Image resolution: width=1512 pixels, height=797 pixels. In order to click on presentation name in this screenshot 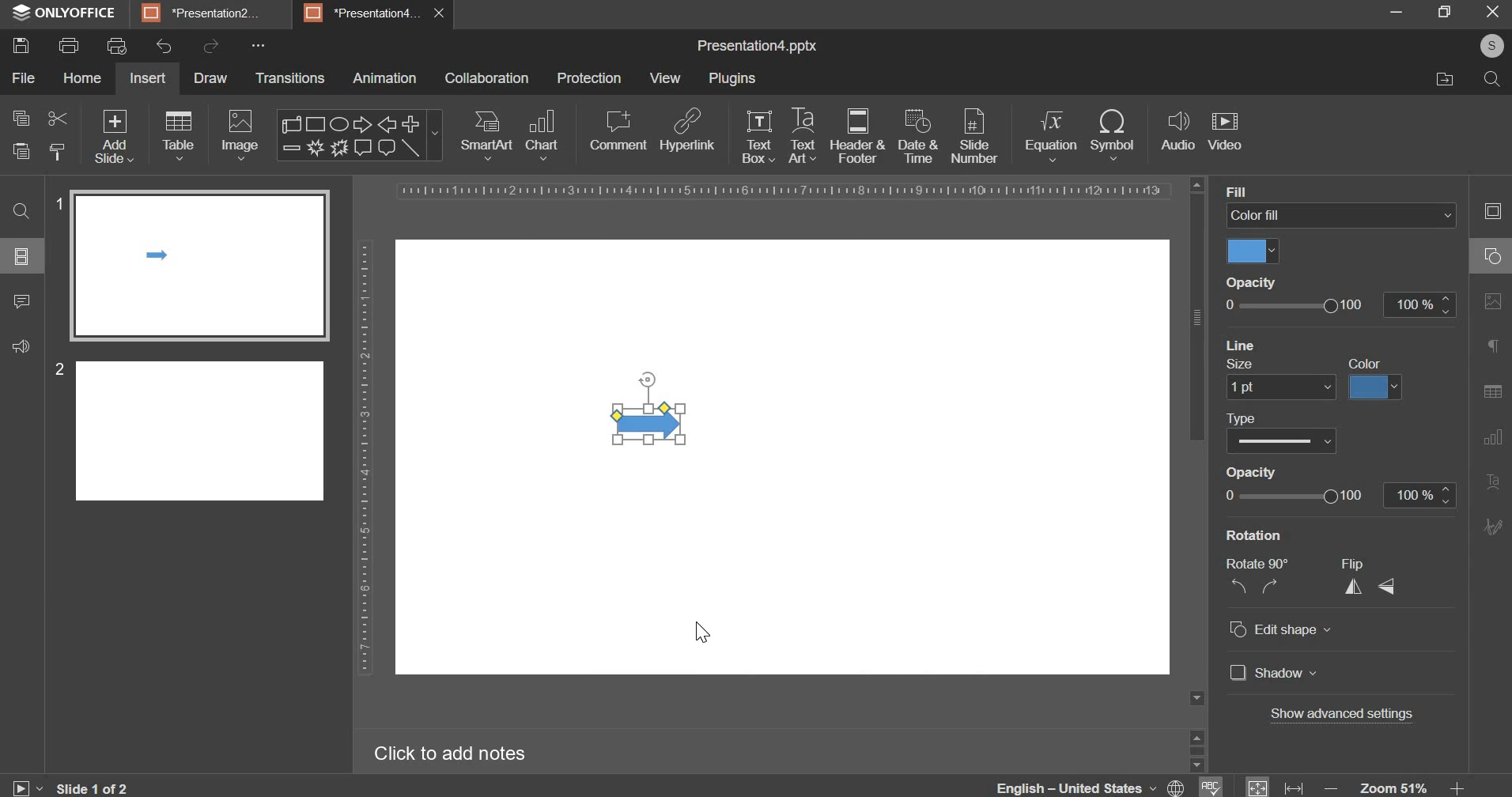, I will do `click(757, 47)`.